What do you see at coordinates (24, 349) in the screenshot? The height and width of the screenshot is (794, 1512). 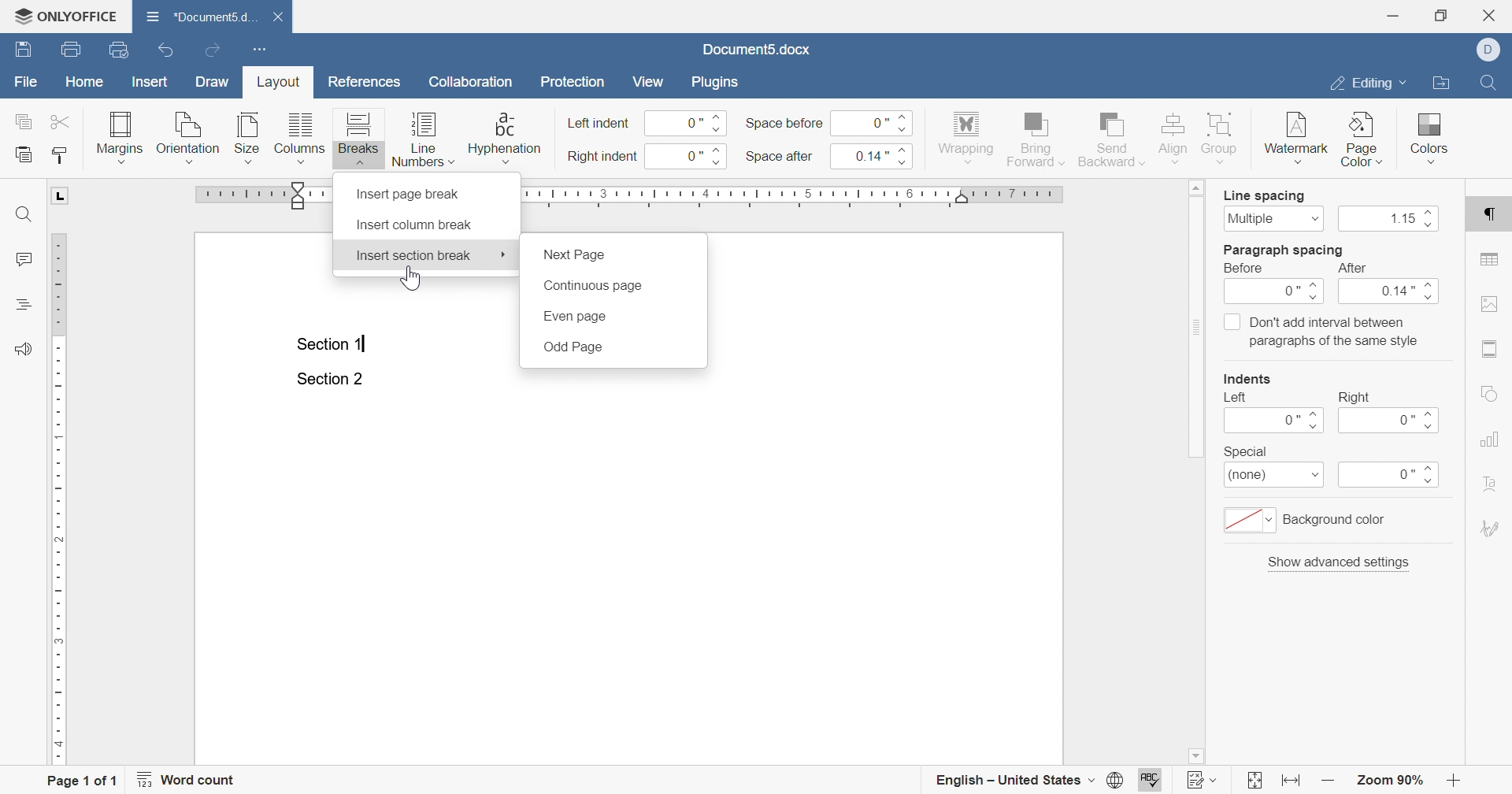 I see `feedback & support` at bounding box center [24, 349].